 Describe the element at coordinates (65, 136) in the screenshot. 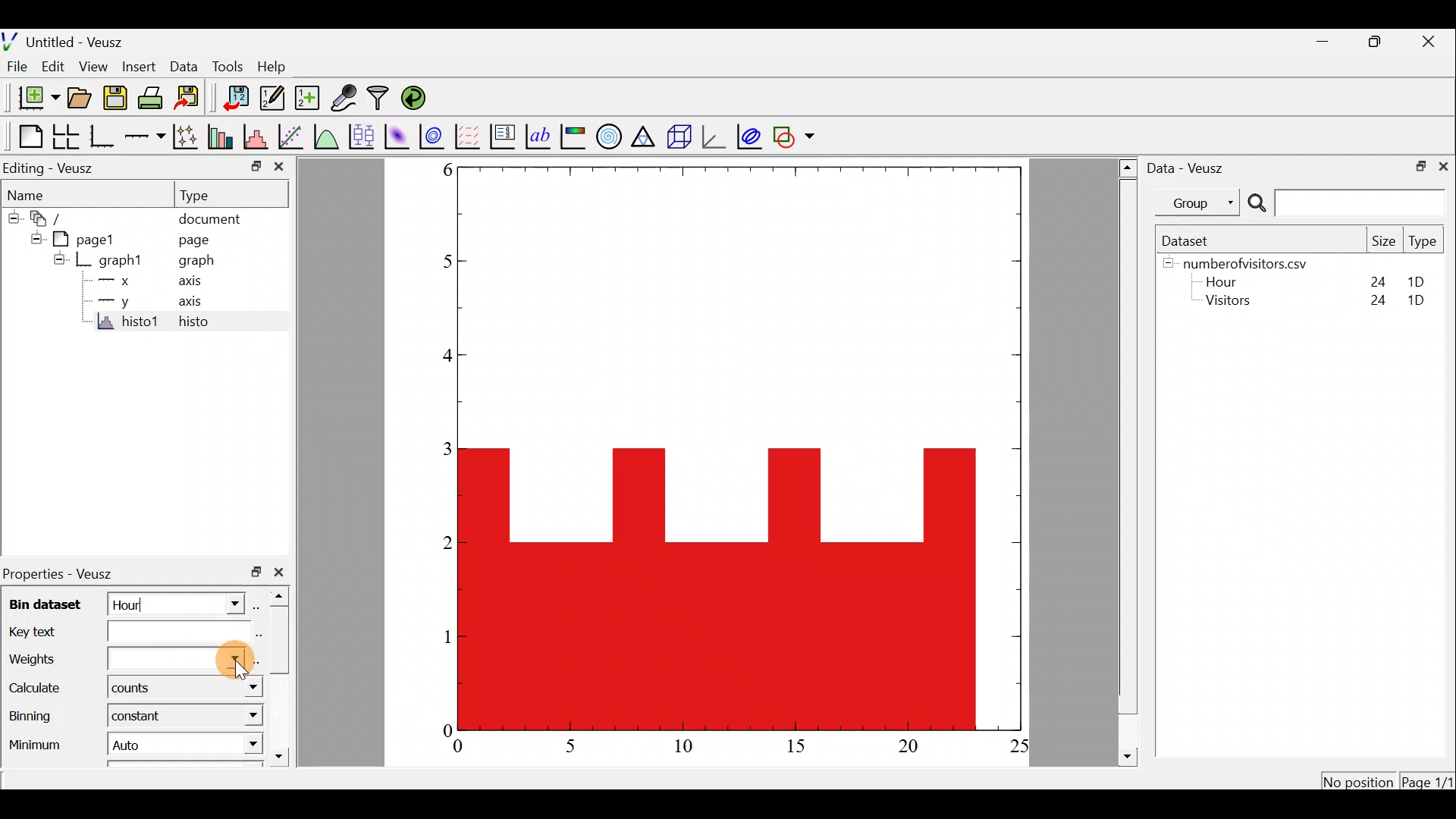

I see `arrange graphs in a grid` at that location.